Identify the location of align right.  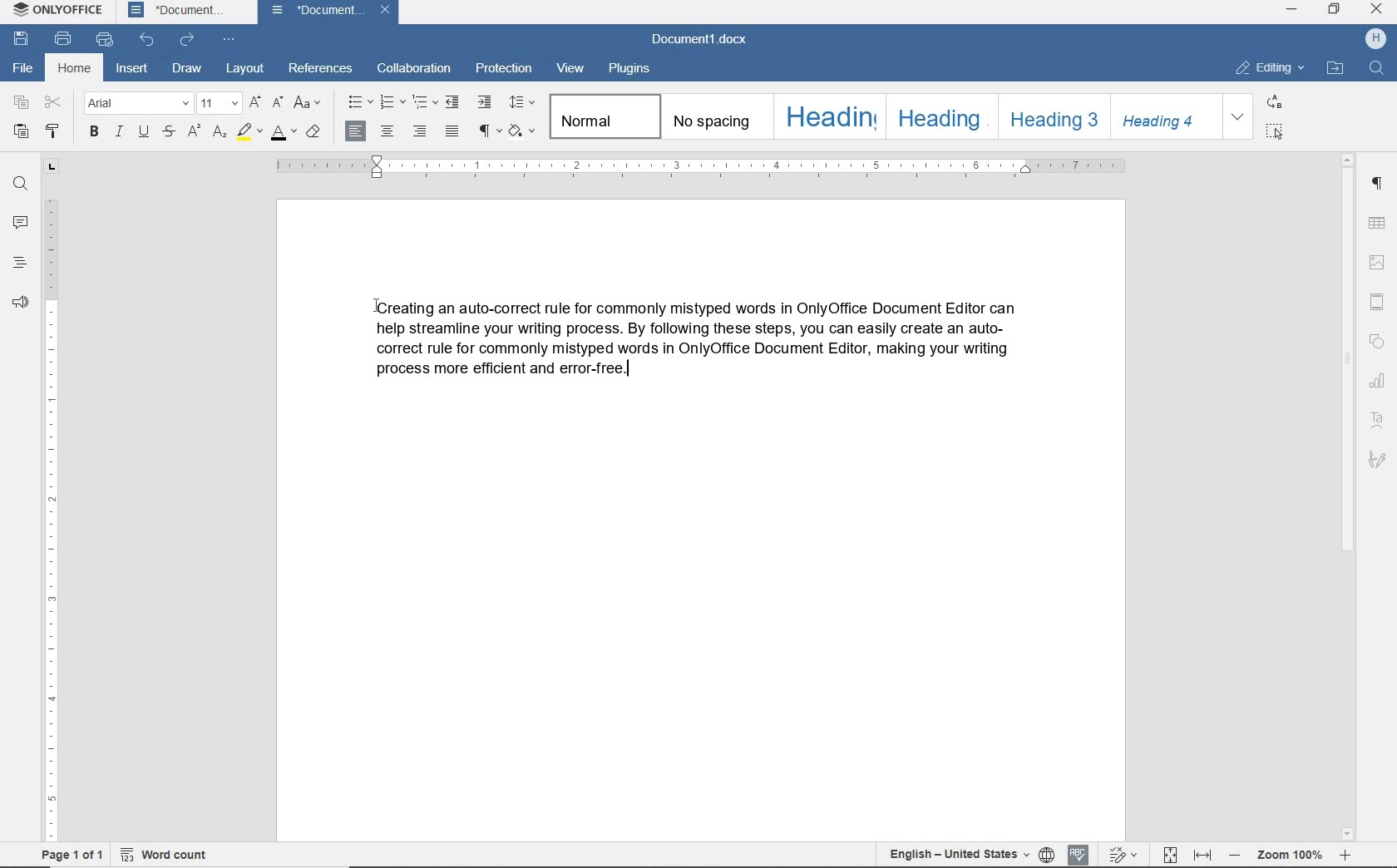
(419, 132).